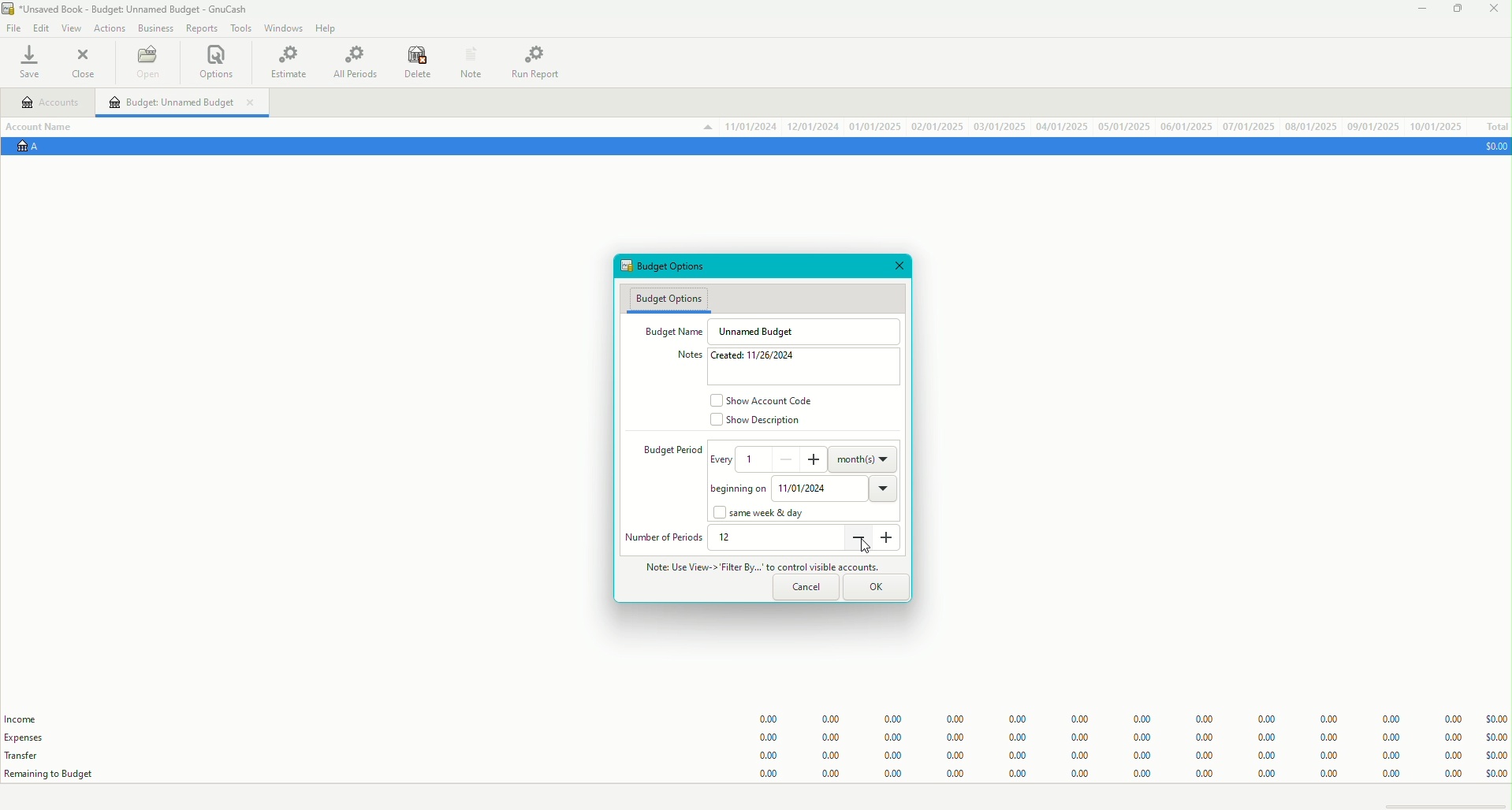 The image size is (1512, 810). Describe the element at coordinates (765, 514) in the screenshot. I see `same week & day` at that location.